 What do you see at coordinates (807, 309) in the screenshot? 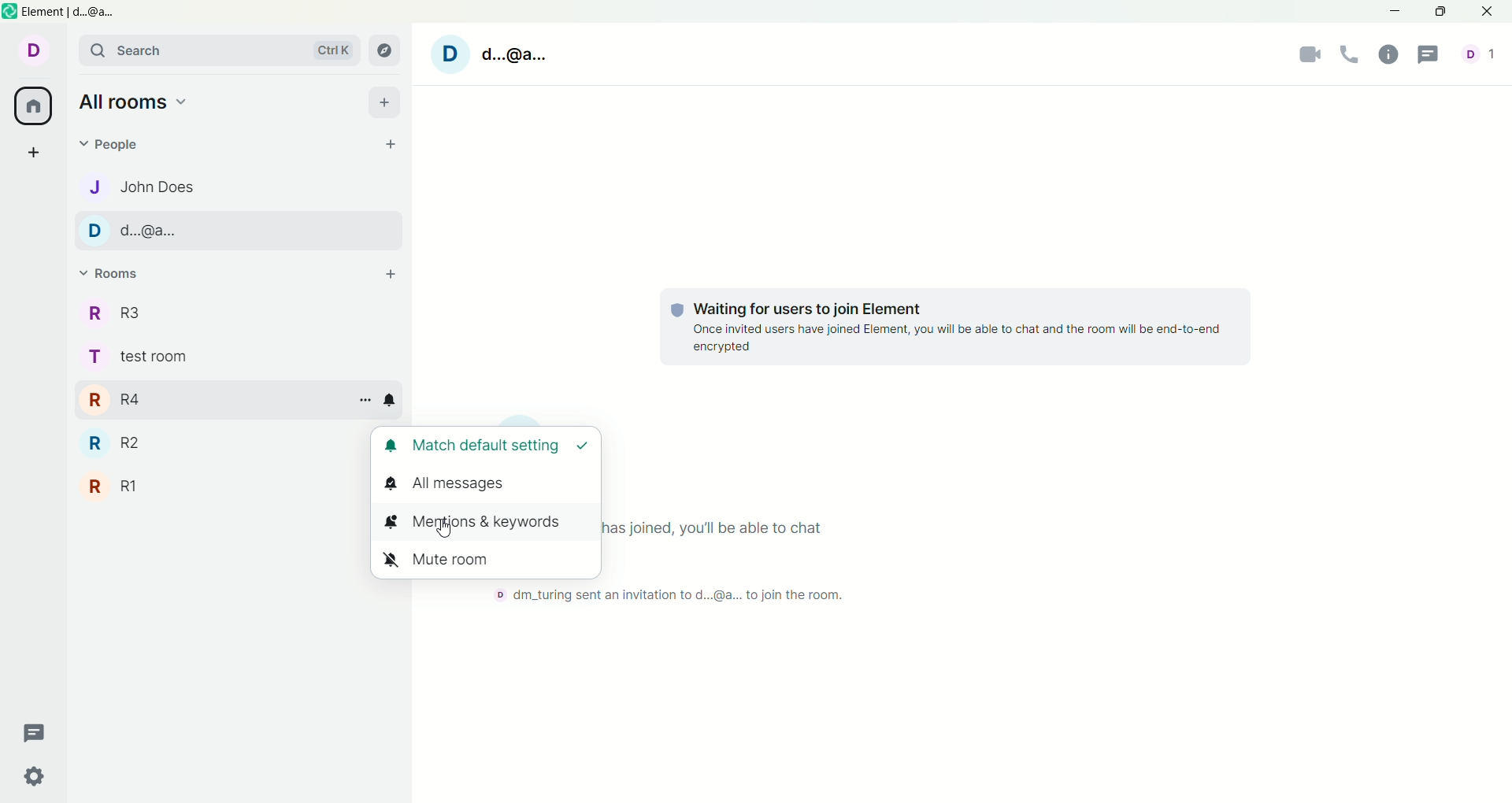
I see `Waiting for users to join Element` at bounding box center [807, 309].